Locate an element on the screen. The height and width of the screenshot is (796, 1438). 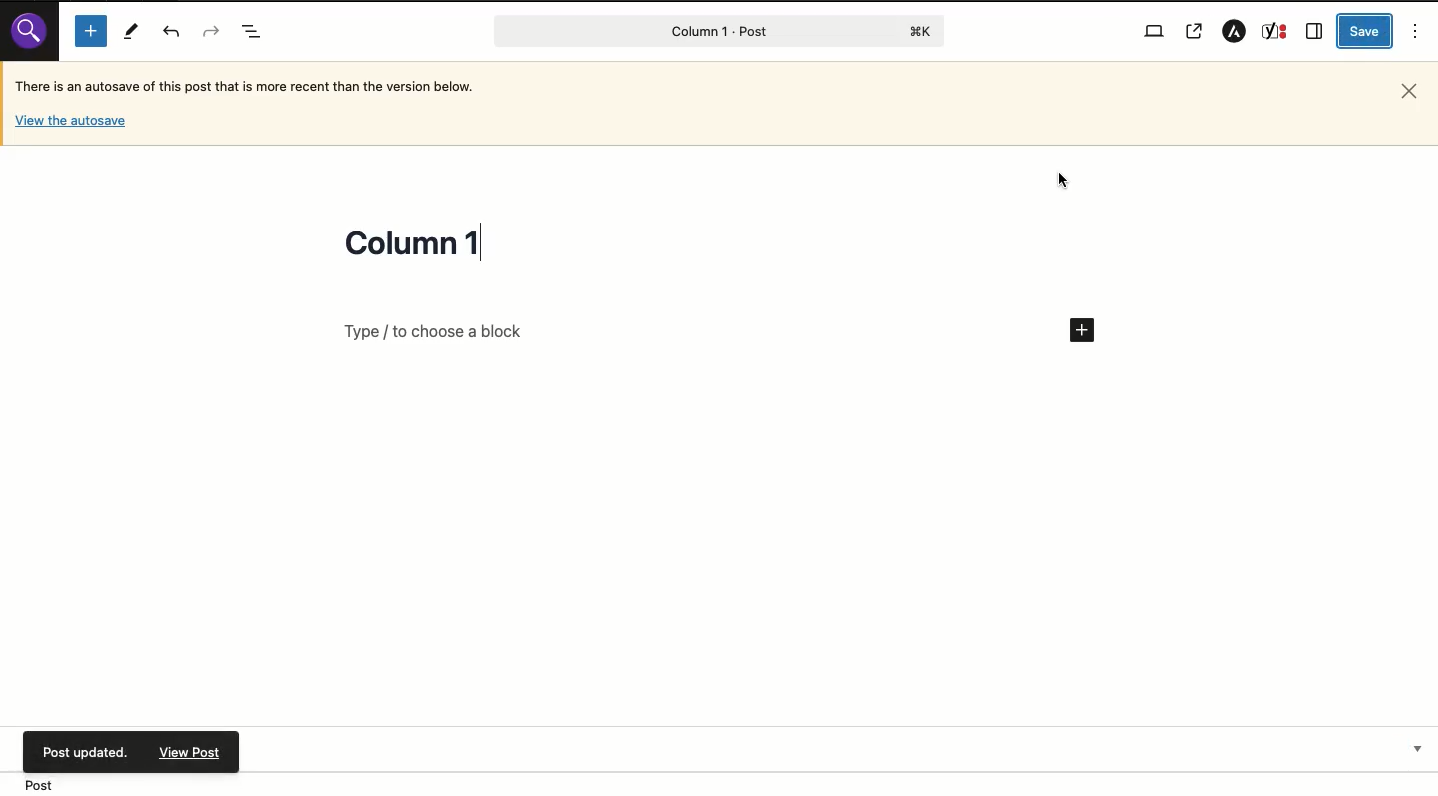
Sidebar is located at coordinates (1315, 32).